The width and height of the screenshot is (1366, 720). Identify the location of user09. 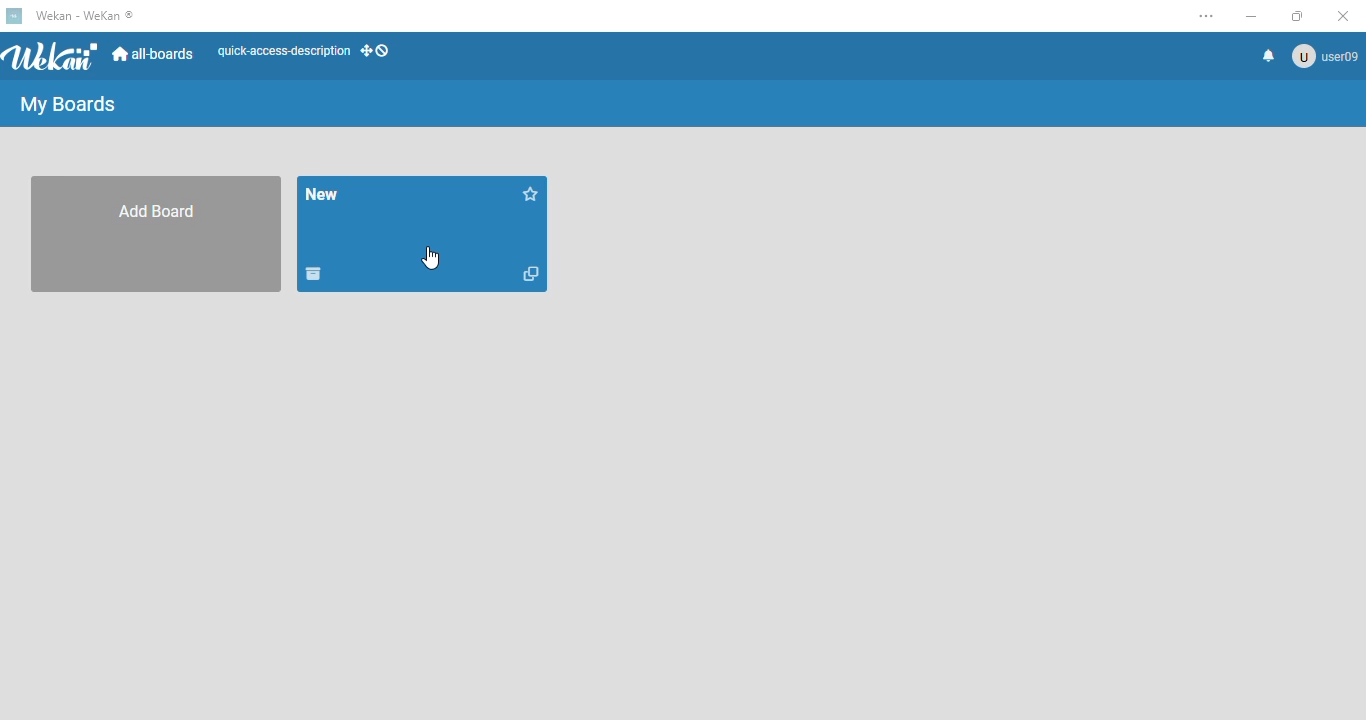
(1324, 57).